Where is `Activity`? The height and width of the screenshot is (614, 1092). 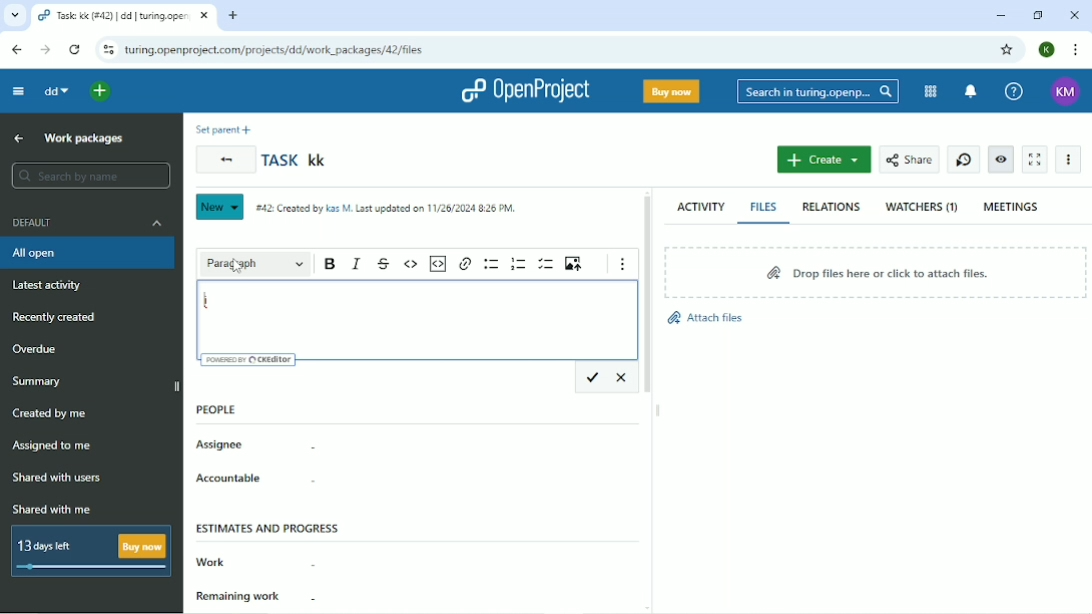 Activity is located at coordinates (702, 208).